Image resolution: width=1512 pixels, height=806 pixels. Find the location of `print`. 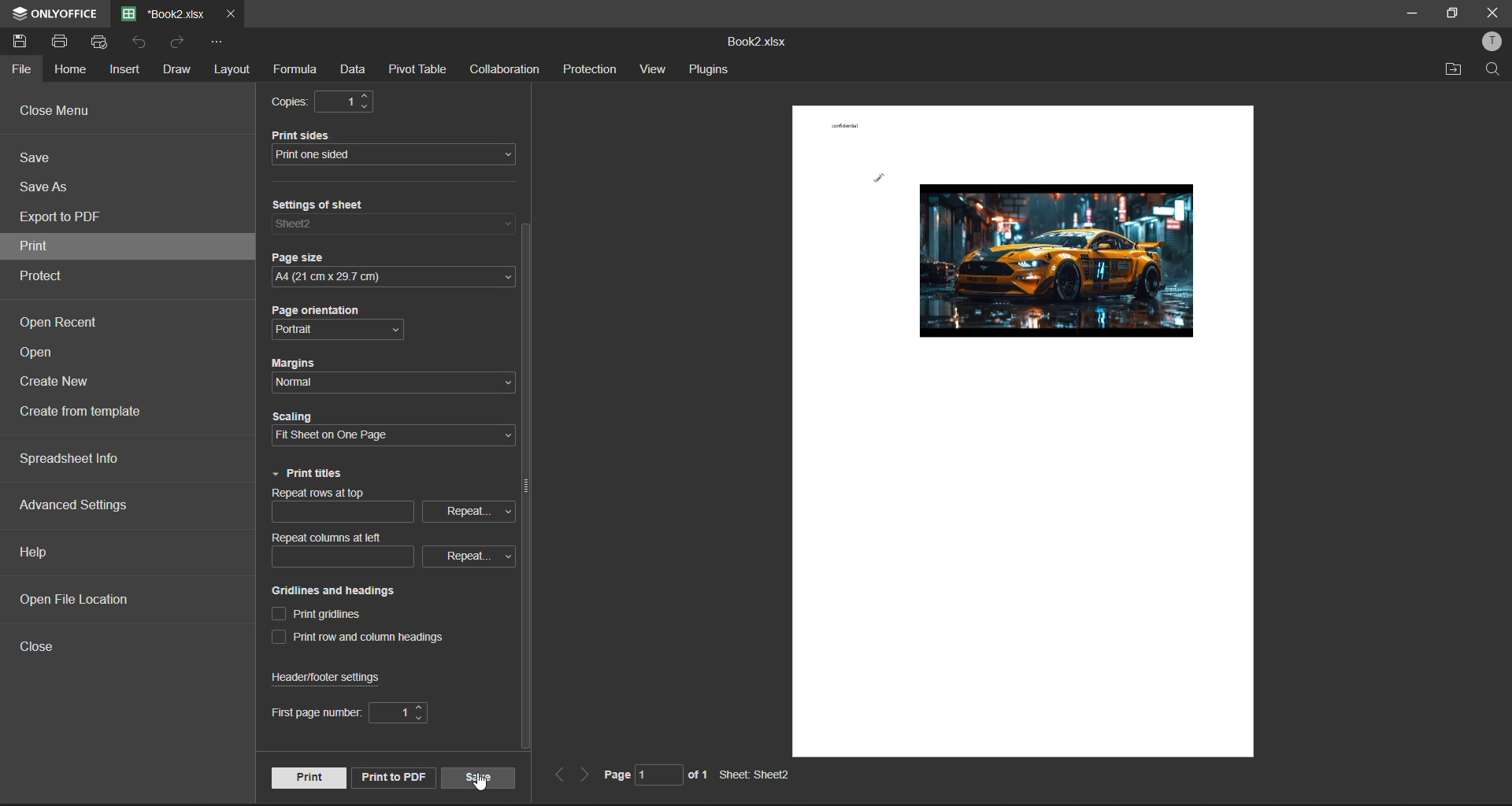

print is located at coordinates (42, 246).